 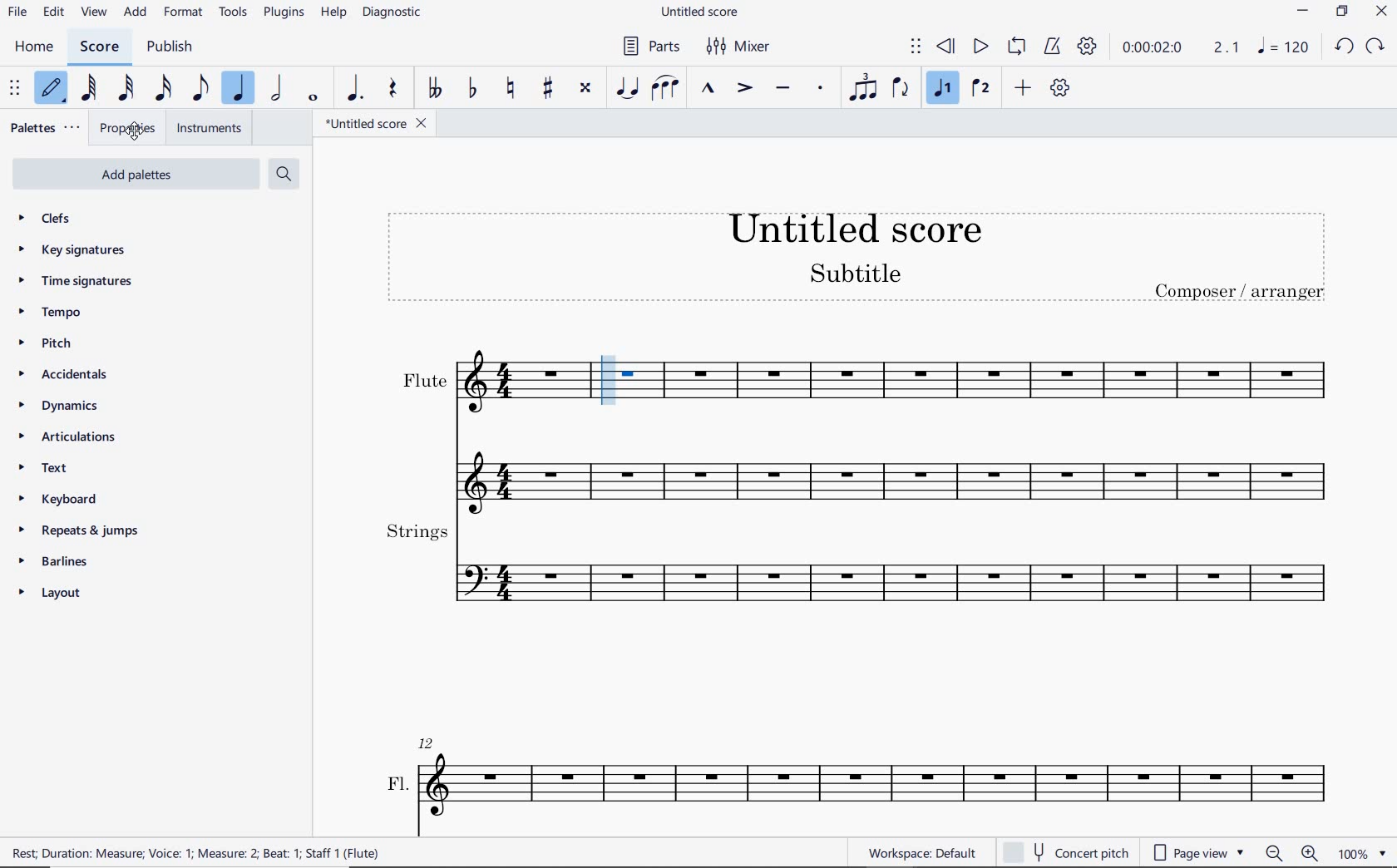 What do you see at coordinates (856, 567) in the screenshot?
I see `strings` at bounding box center [856, 567].